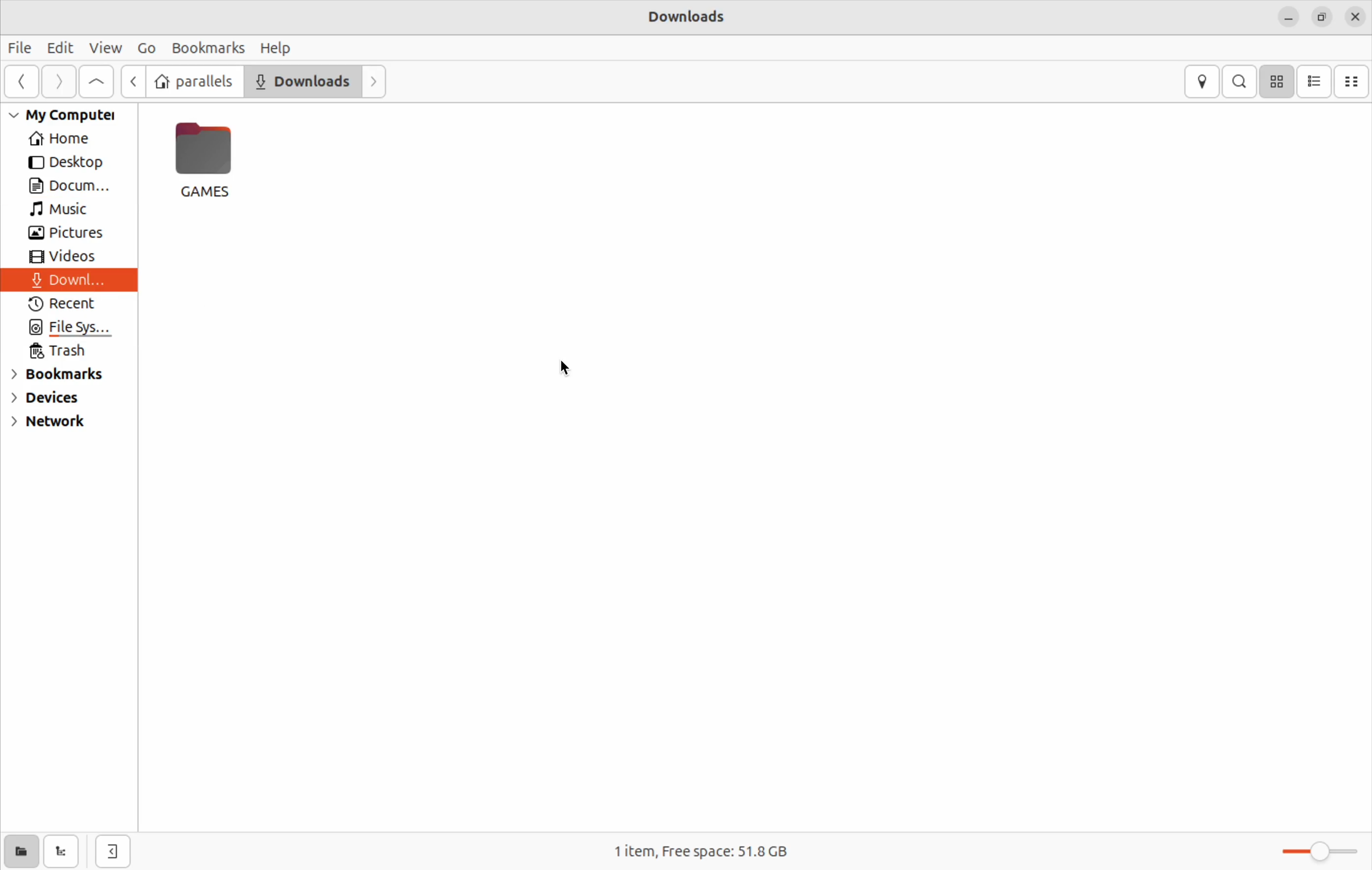 This screenshot has height=870, width=1372. What do you see at coordinates (692, 19) in the screenshot?
I see `downloads` at bounding box center [692, 19].